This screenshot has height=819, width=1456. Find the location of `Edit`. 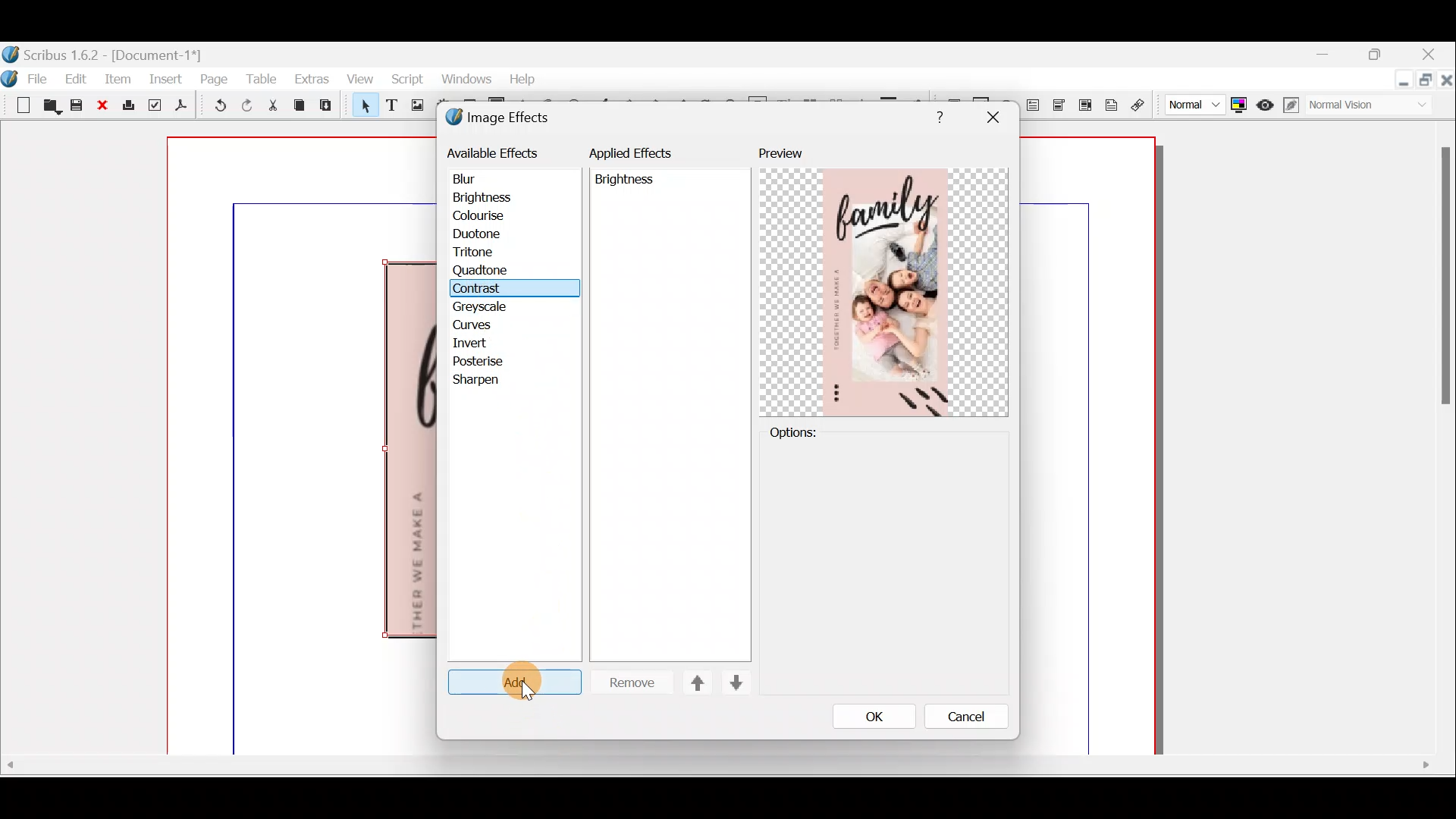

Edit is located at coordinates (78, 78).